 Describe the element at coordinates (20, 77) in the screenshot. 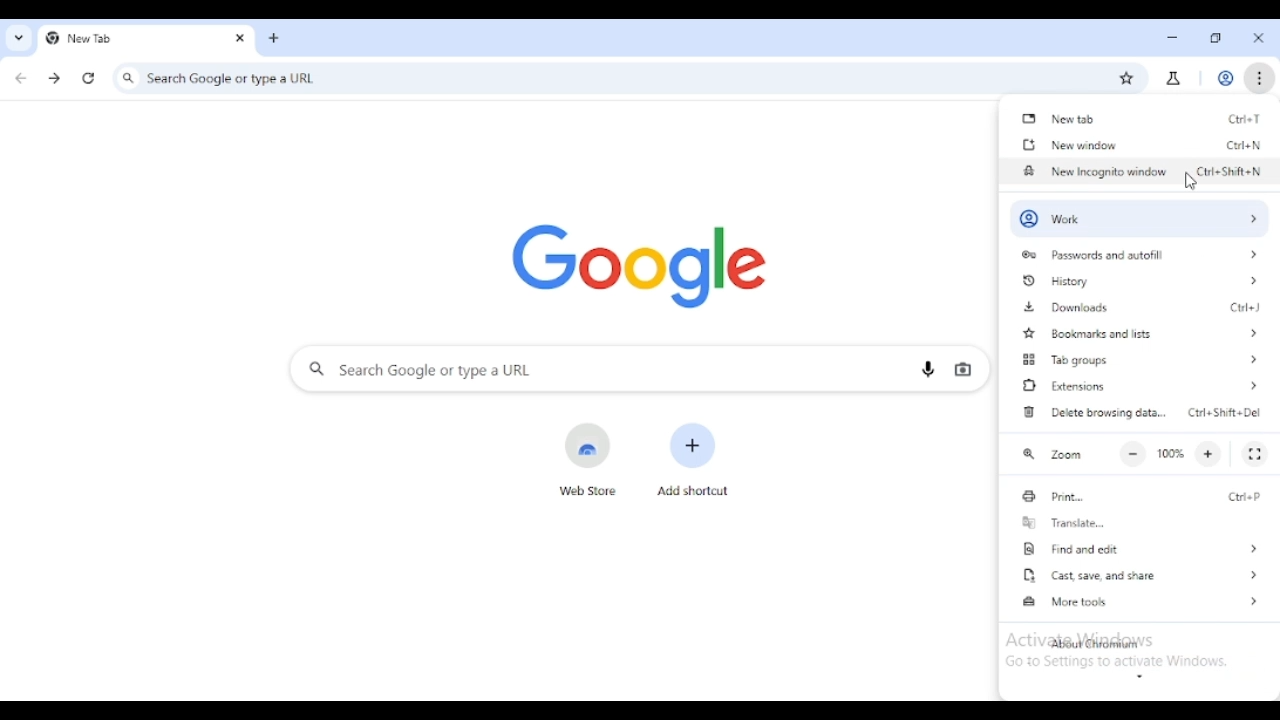

I see `click to go back` at that location.